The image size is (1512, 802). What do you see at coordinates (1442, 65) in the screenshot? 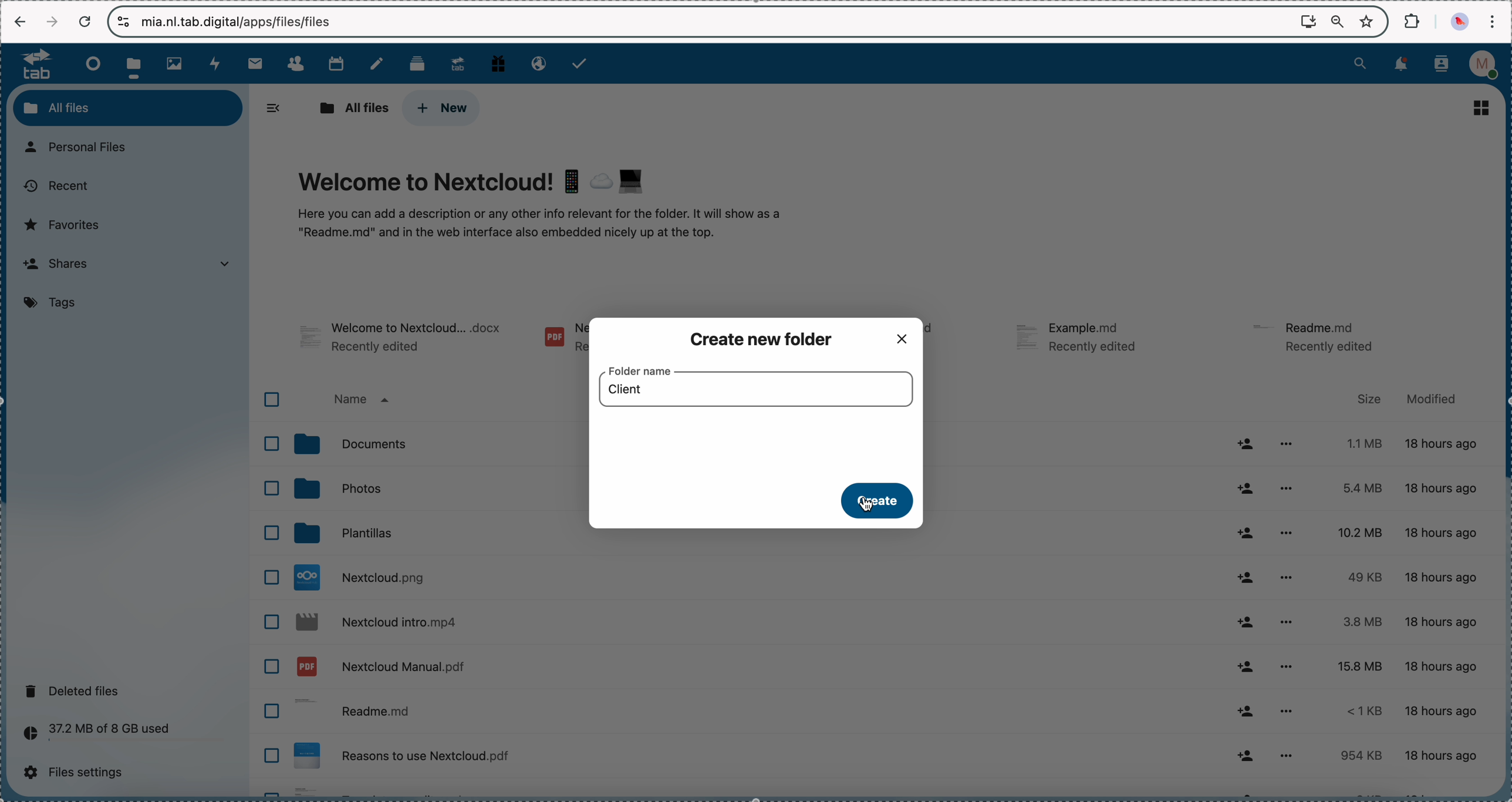
I see `contacts` at bounding box center [1442, 65].